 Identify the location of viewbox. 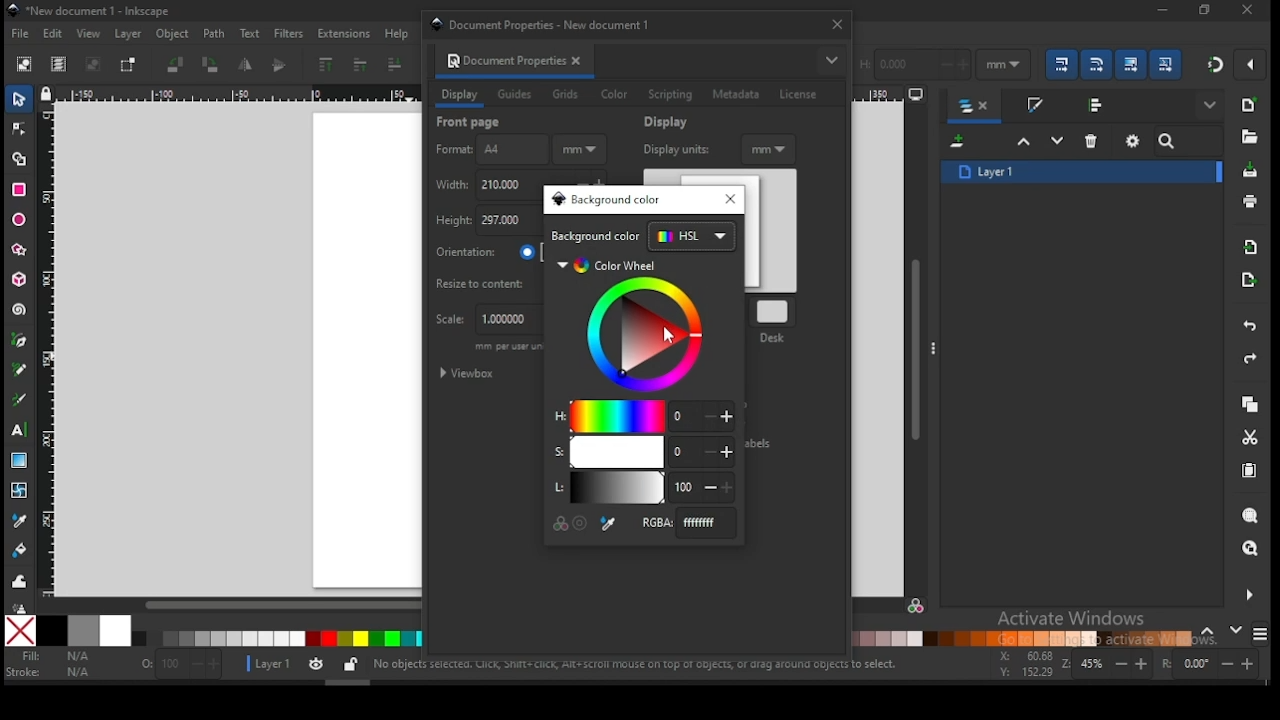
(469, 374).